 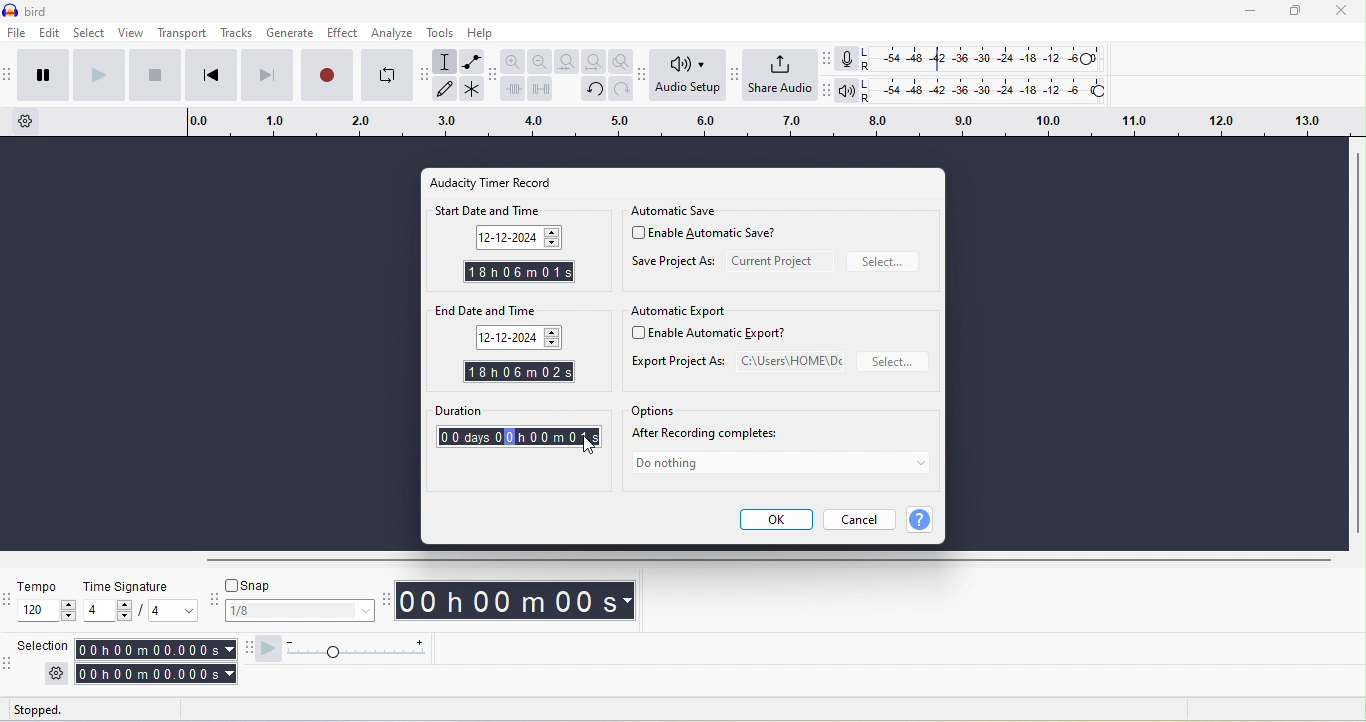 What do you see at coordinates (825, 59) in the screenshot?
I see `audacity recording meter toolbar` at bounding box center [825, 59].